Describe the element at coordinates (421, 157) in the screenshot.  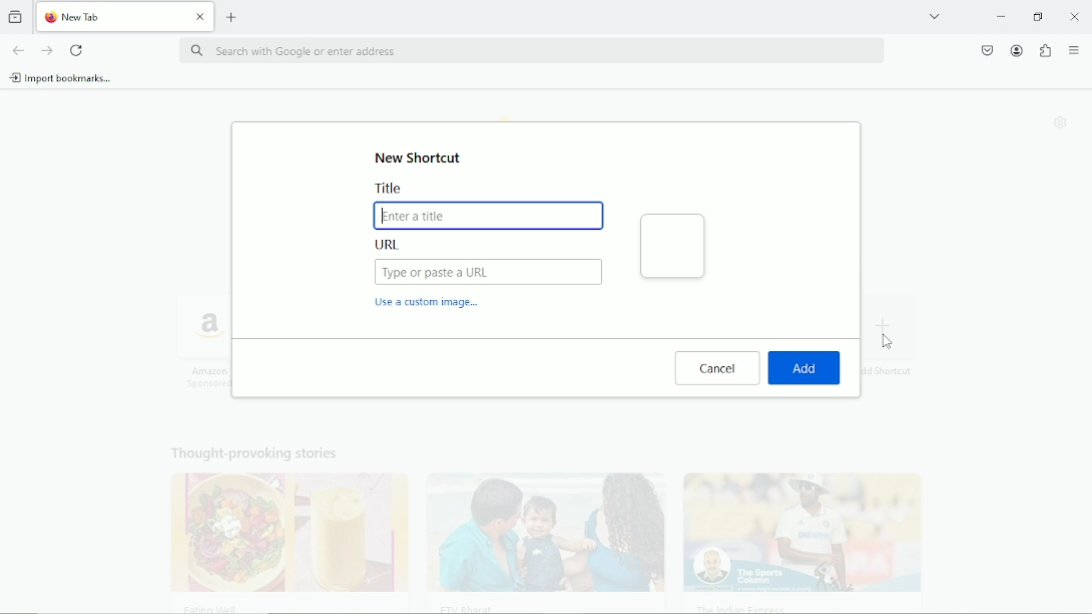
I see `New shortcut` at that location.